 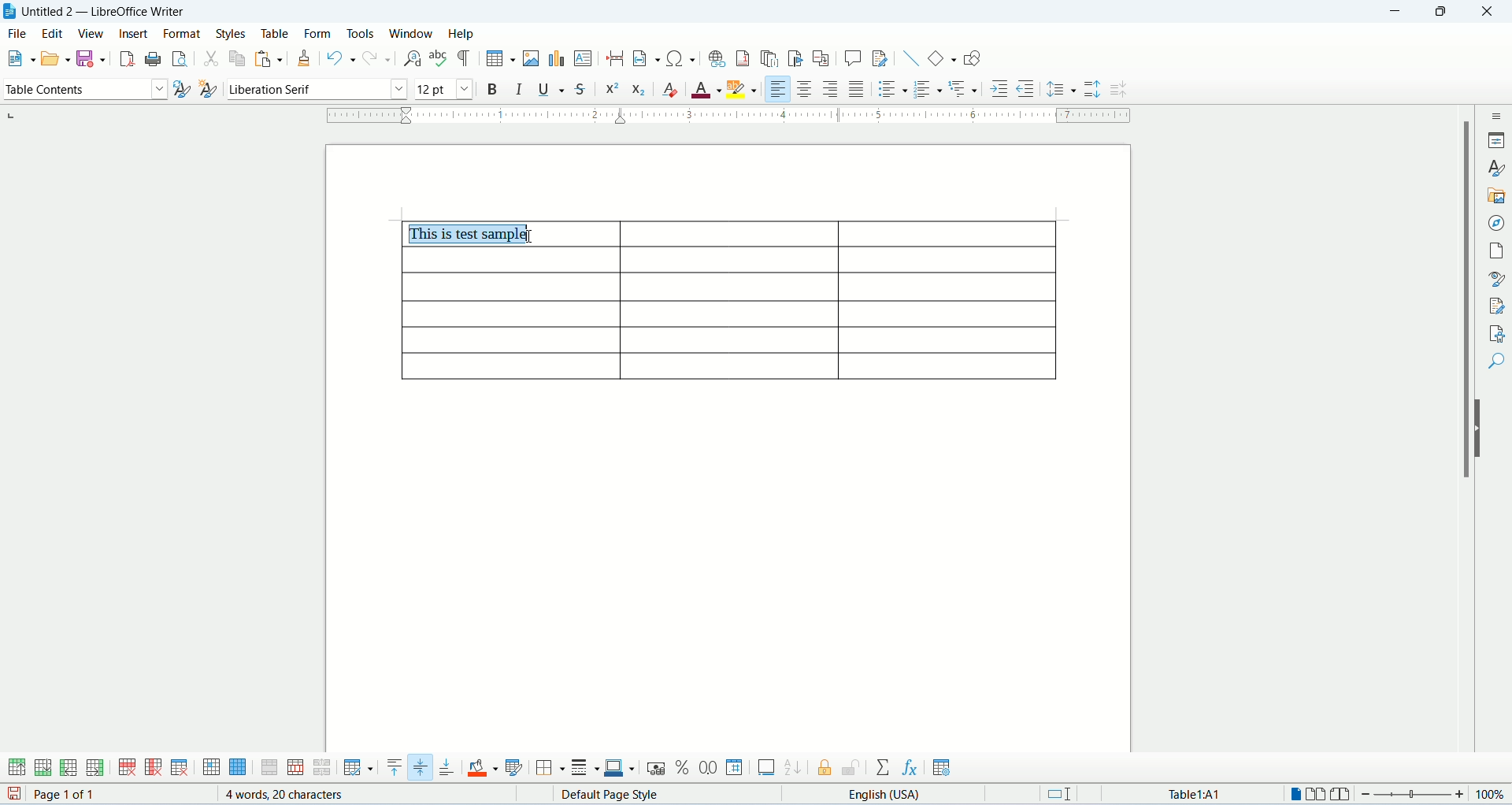 What do you see at coordinates (495, 90) in the screenshot?
I see `bold` at bounding box center [495, 90].